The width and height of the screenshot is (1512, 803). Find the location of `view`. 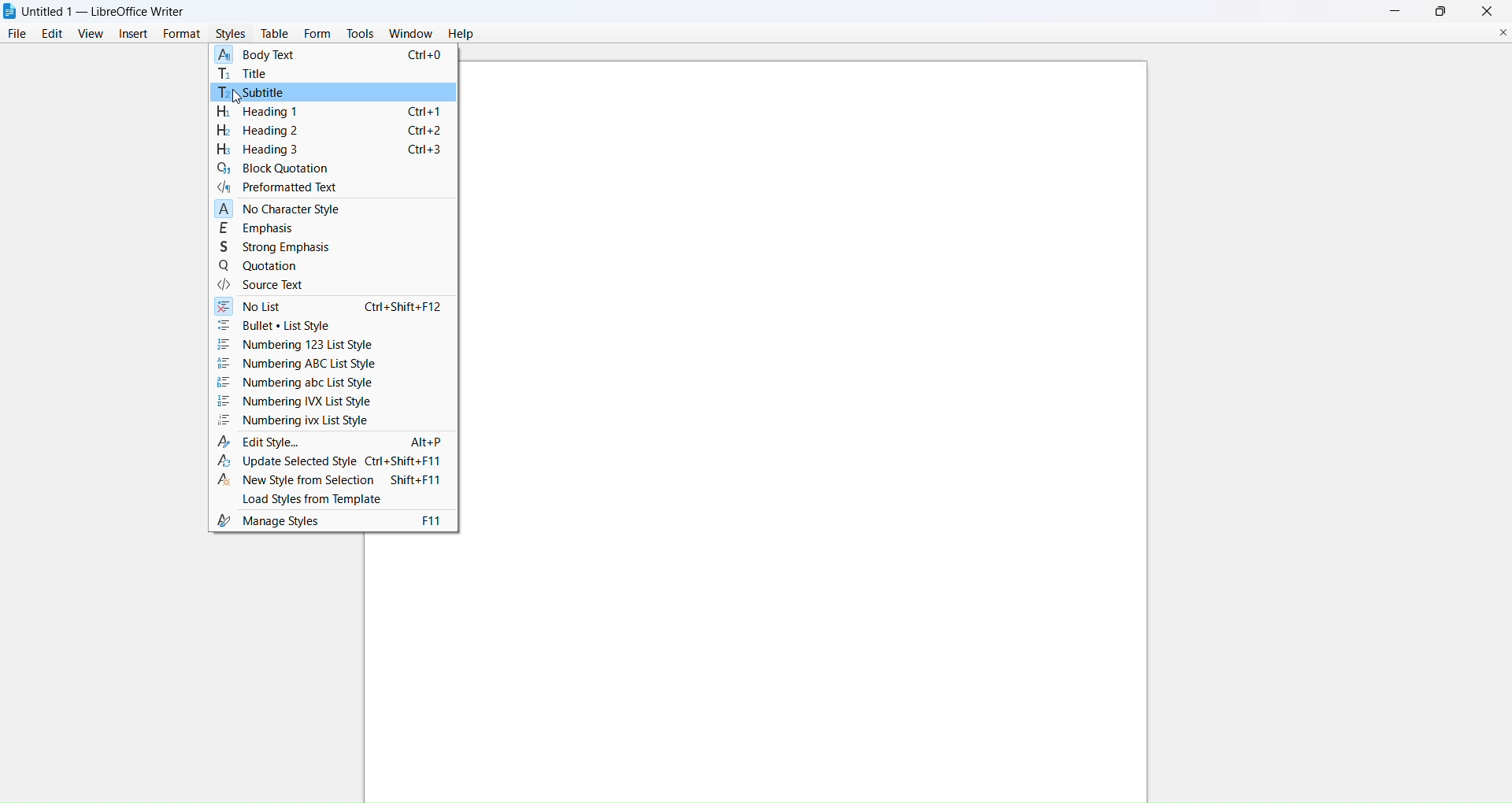

view is located at coordinates (93, 33).